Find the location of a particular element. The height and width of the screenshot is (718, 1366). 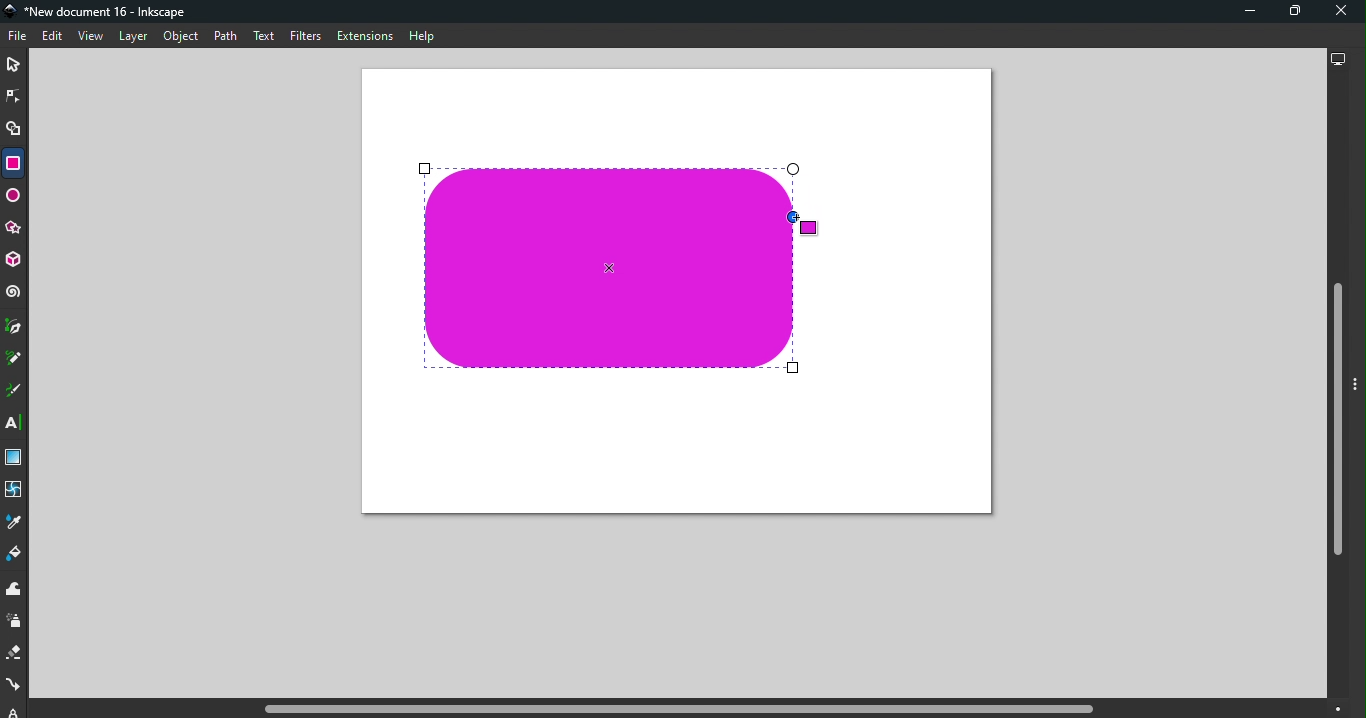

Text is located at coordinates (266, 37).